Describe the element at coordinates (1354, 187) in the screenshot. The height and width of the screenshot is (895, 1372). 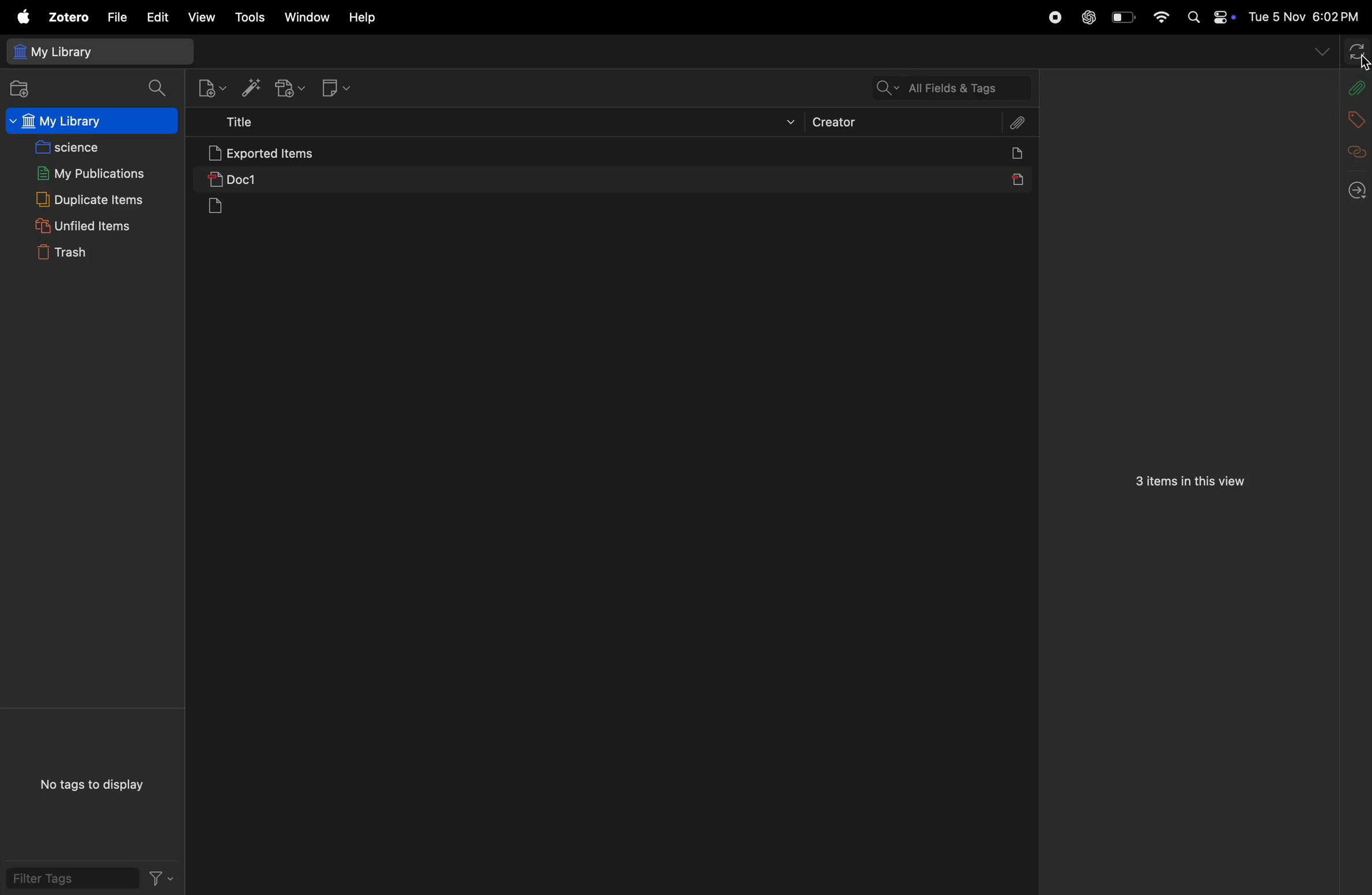
I see `back` at that location.